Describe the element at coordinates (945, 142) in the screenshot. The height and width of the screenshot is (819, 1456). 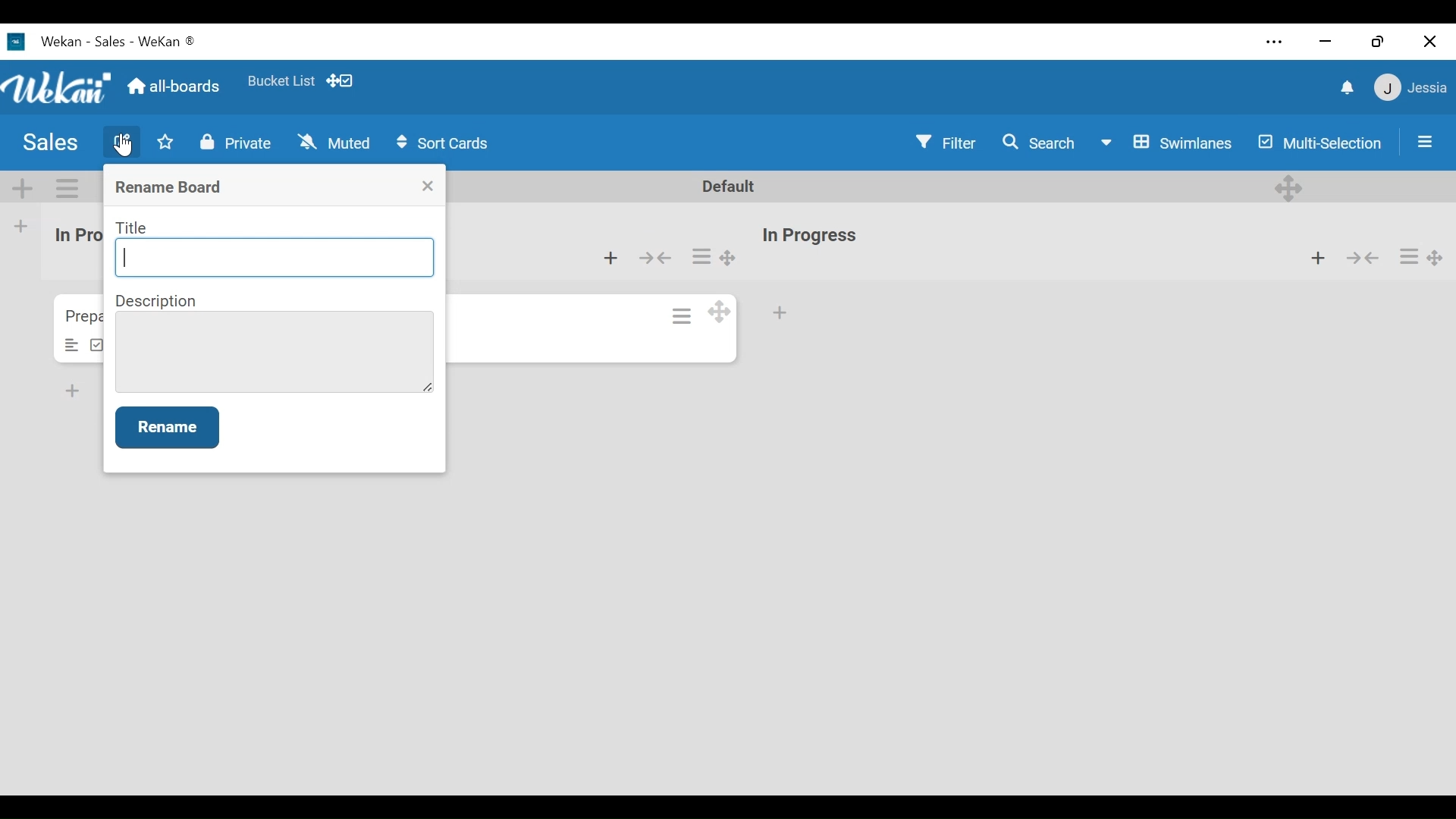
I see `Filter` at that location.